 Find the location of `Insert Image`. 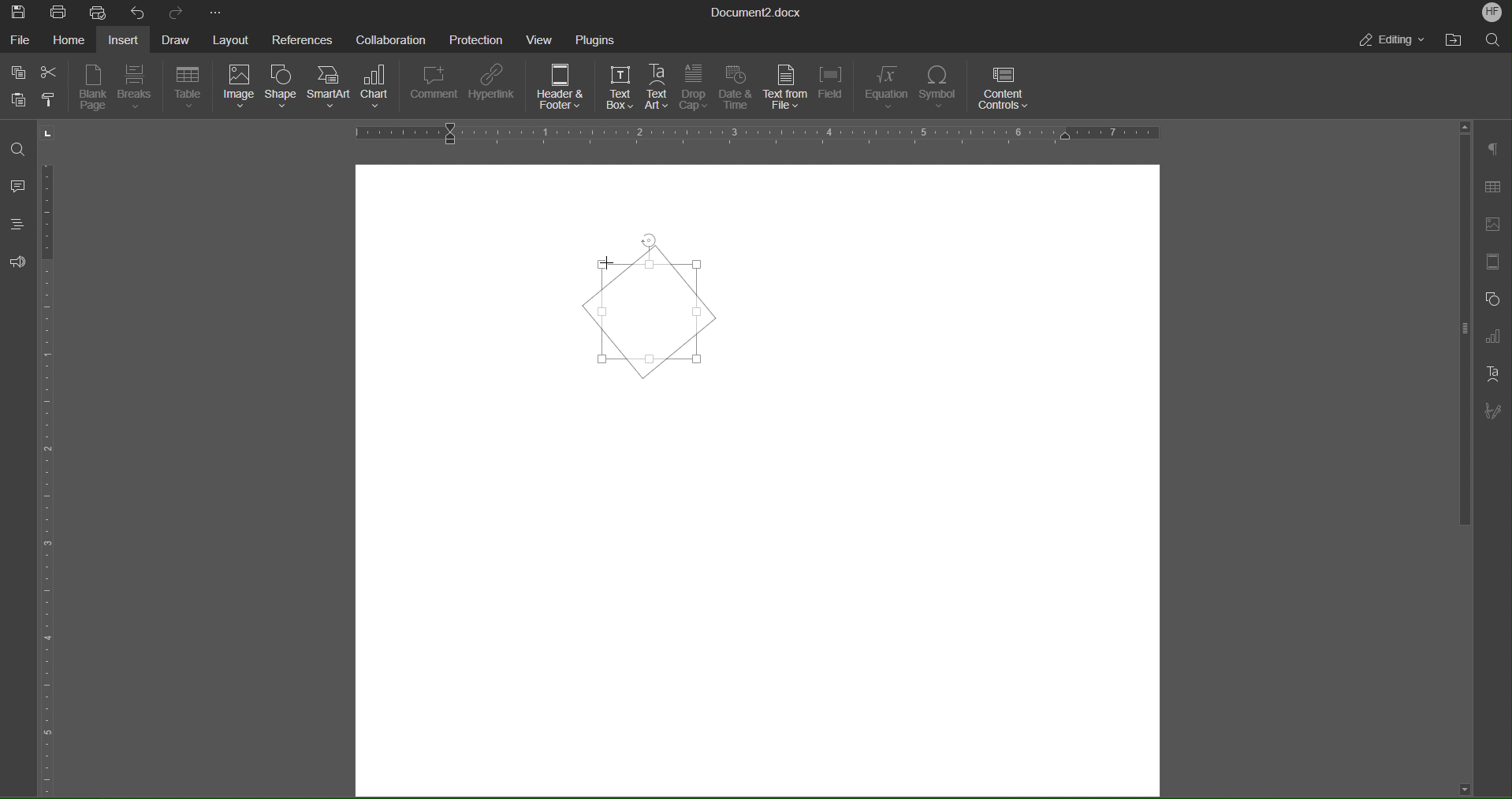

Insert Image is located at coordinates (1490, 225).